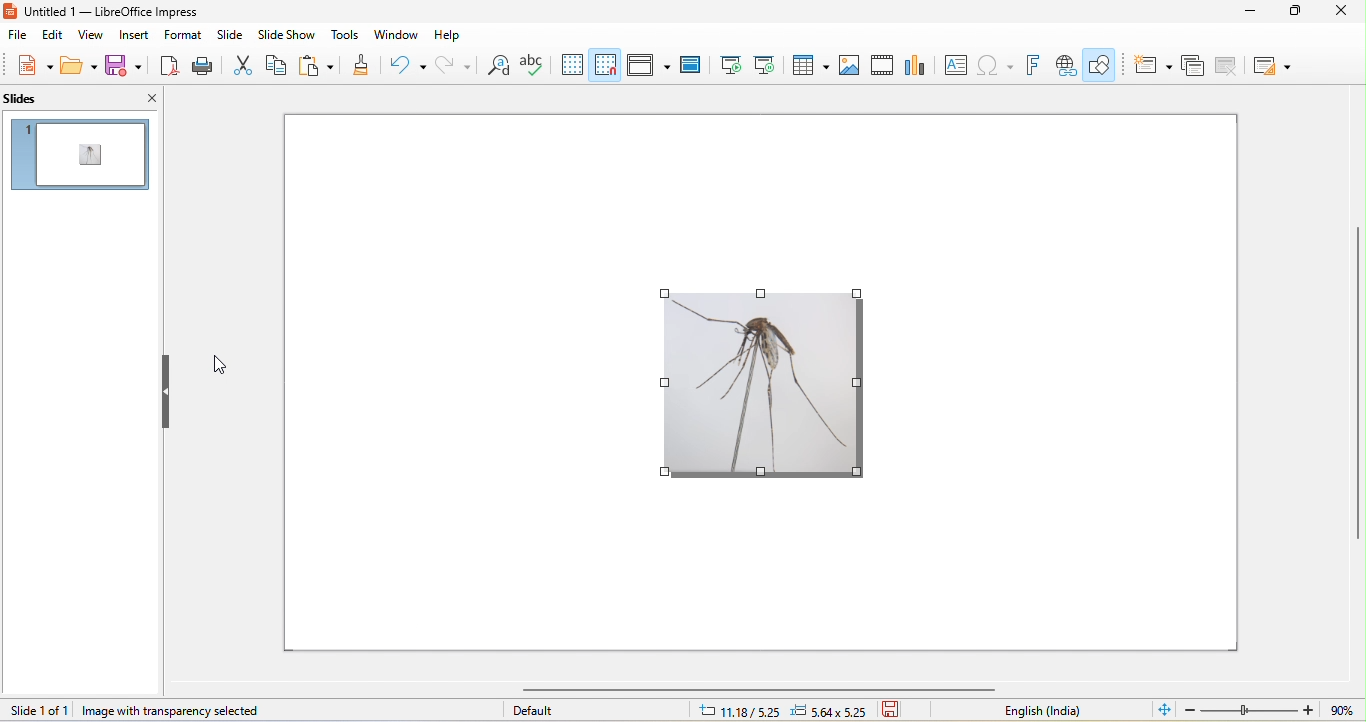 The height and width of the screenshot is (722, 1366). What do you see at coordinates (229, 35) in the screenshot?
I see `slide` at bounding box center [229, 35].